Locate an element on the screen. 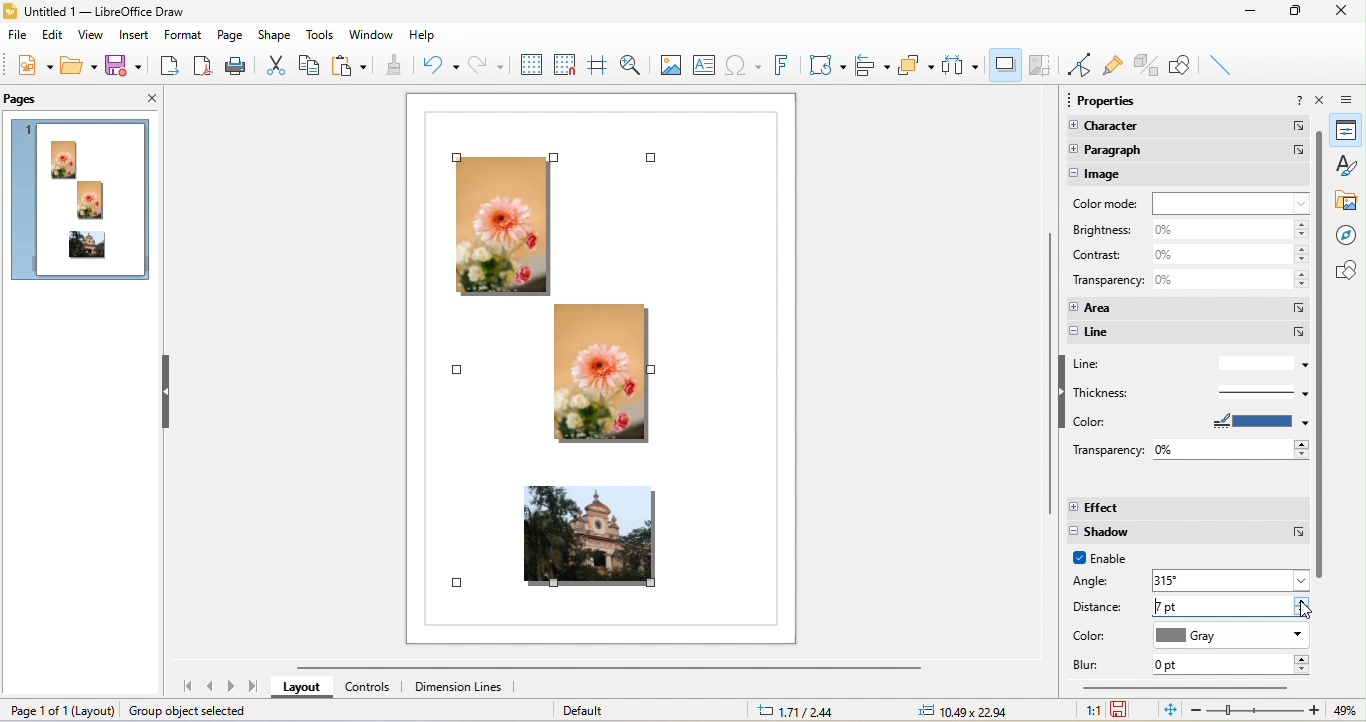  color mode is located at coordinates (1190, 203).